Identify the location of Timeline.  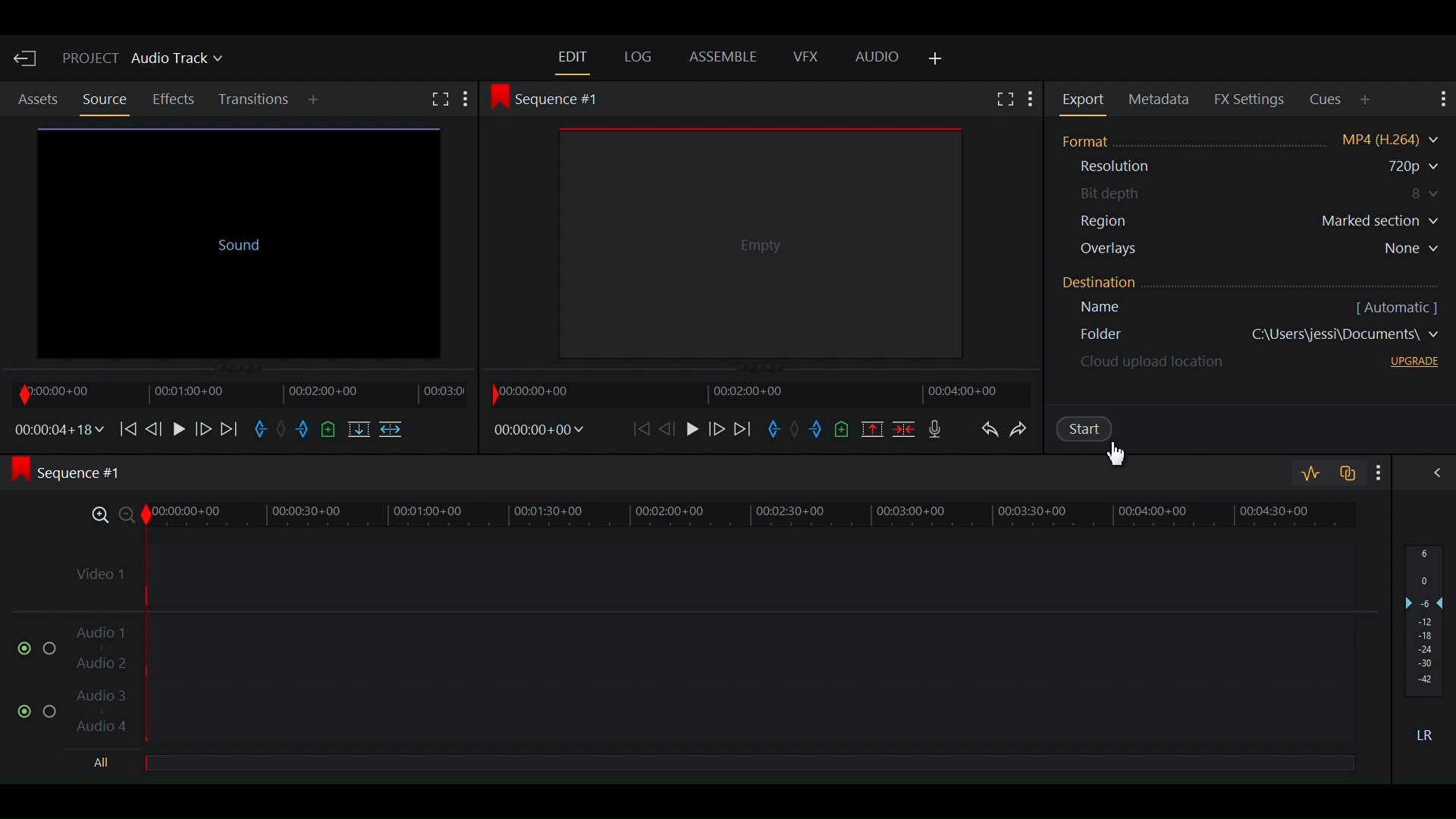
(234, 393).